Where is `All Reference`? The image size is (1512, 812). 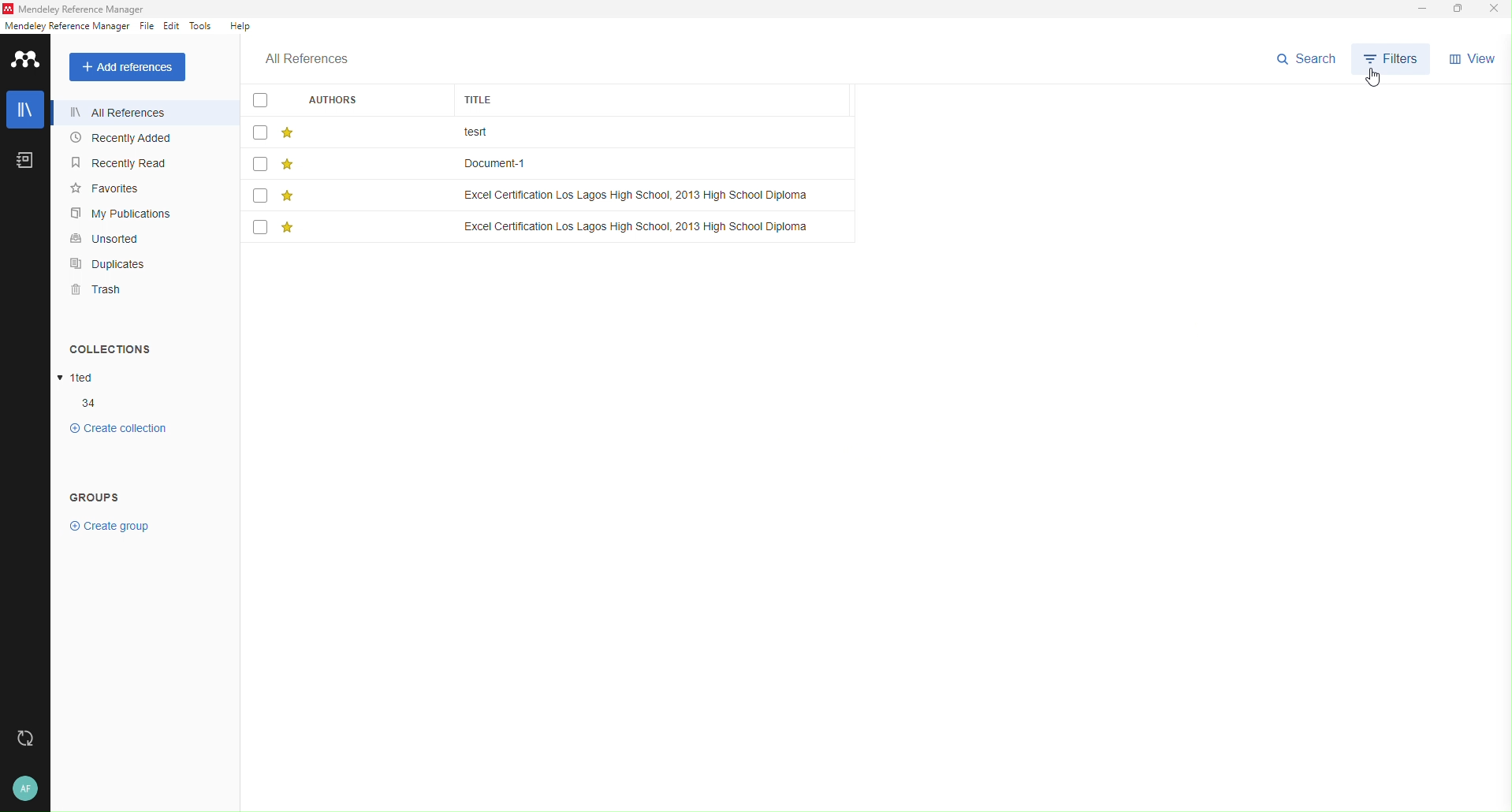 All Reference is located at coordinates (130, 110).